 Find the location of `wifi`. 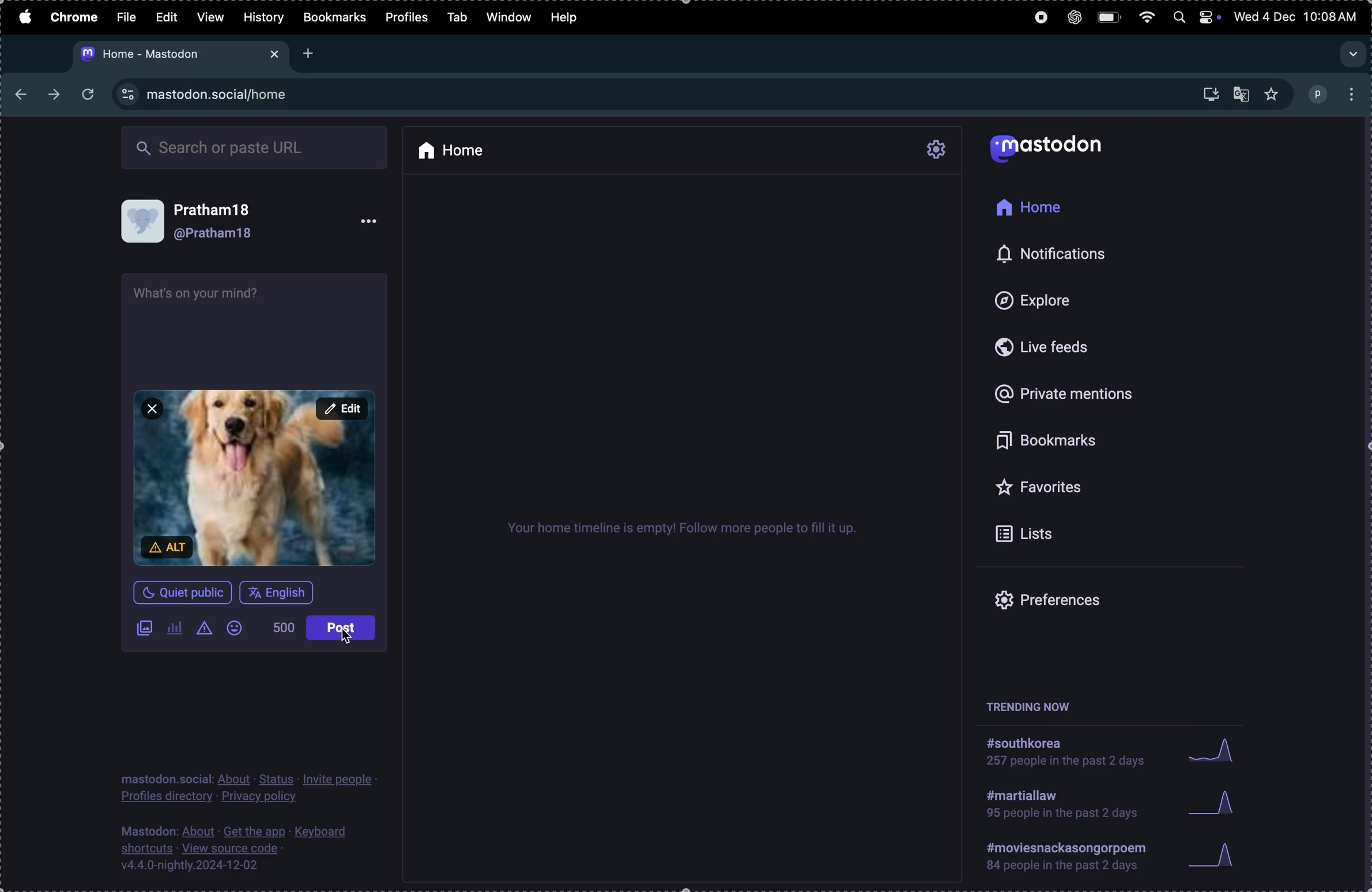

wifi is located at coordinates (1145, 17).